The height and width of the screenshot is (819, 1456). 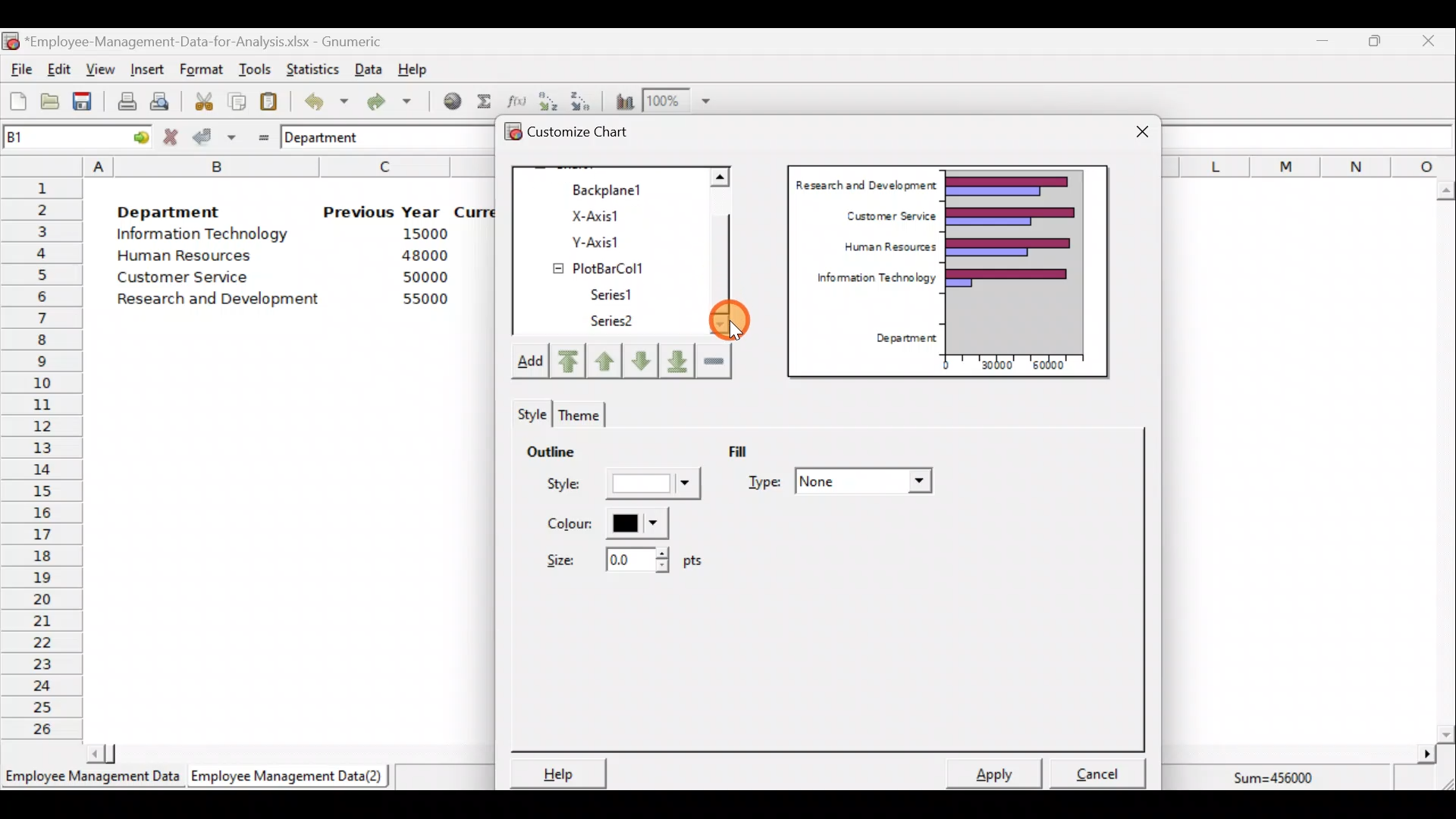 What do you see at coordinates (224, 301) in the screenshot?
I see `Research and Development` at bounding box center [224, 301].